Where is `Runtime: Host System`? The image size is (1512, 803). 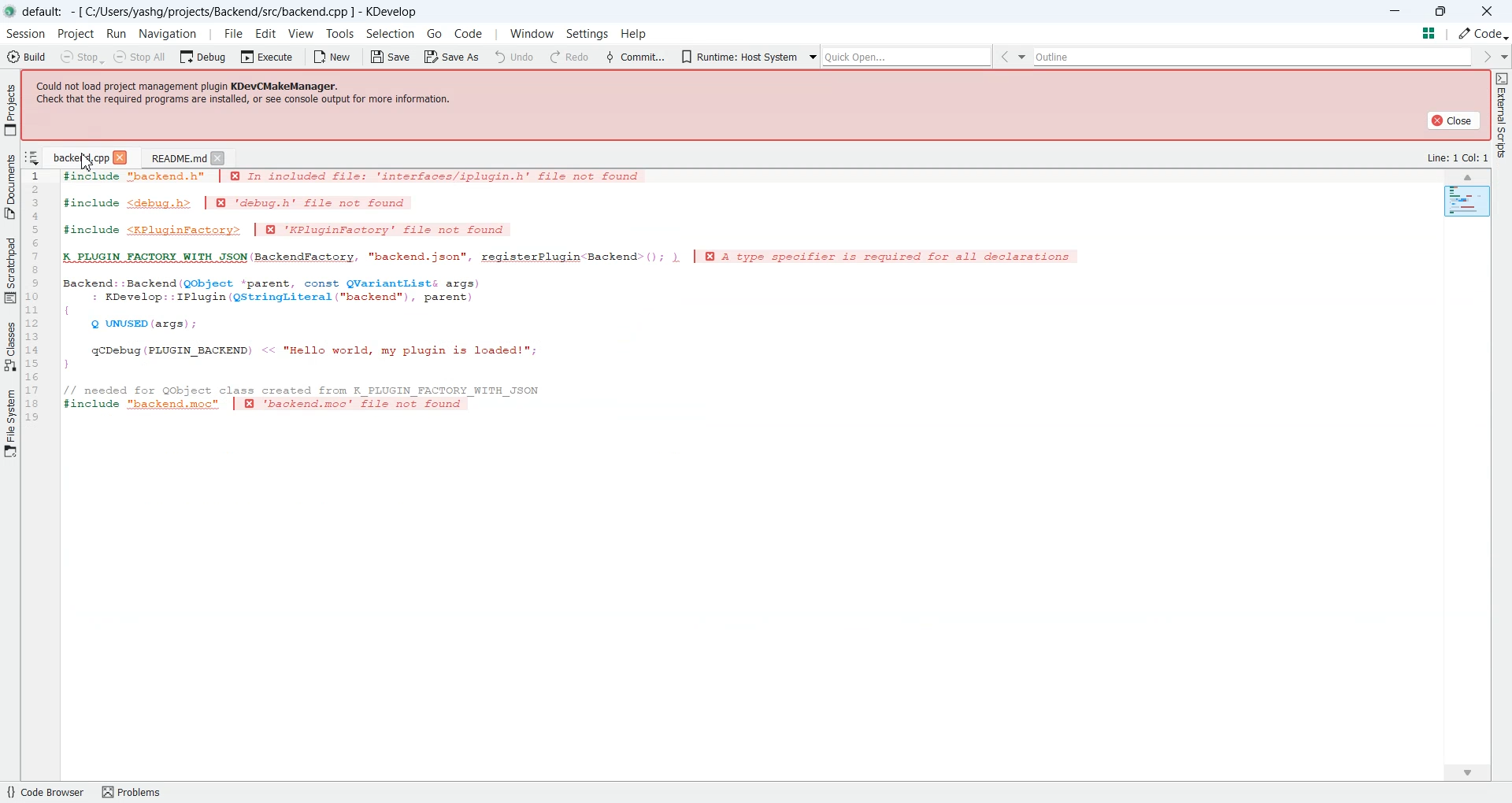
Runtime: Host System is located at coordinates (504, 55).